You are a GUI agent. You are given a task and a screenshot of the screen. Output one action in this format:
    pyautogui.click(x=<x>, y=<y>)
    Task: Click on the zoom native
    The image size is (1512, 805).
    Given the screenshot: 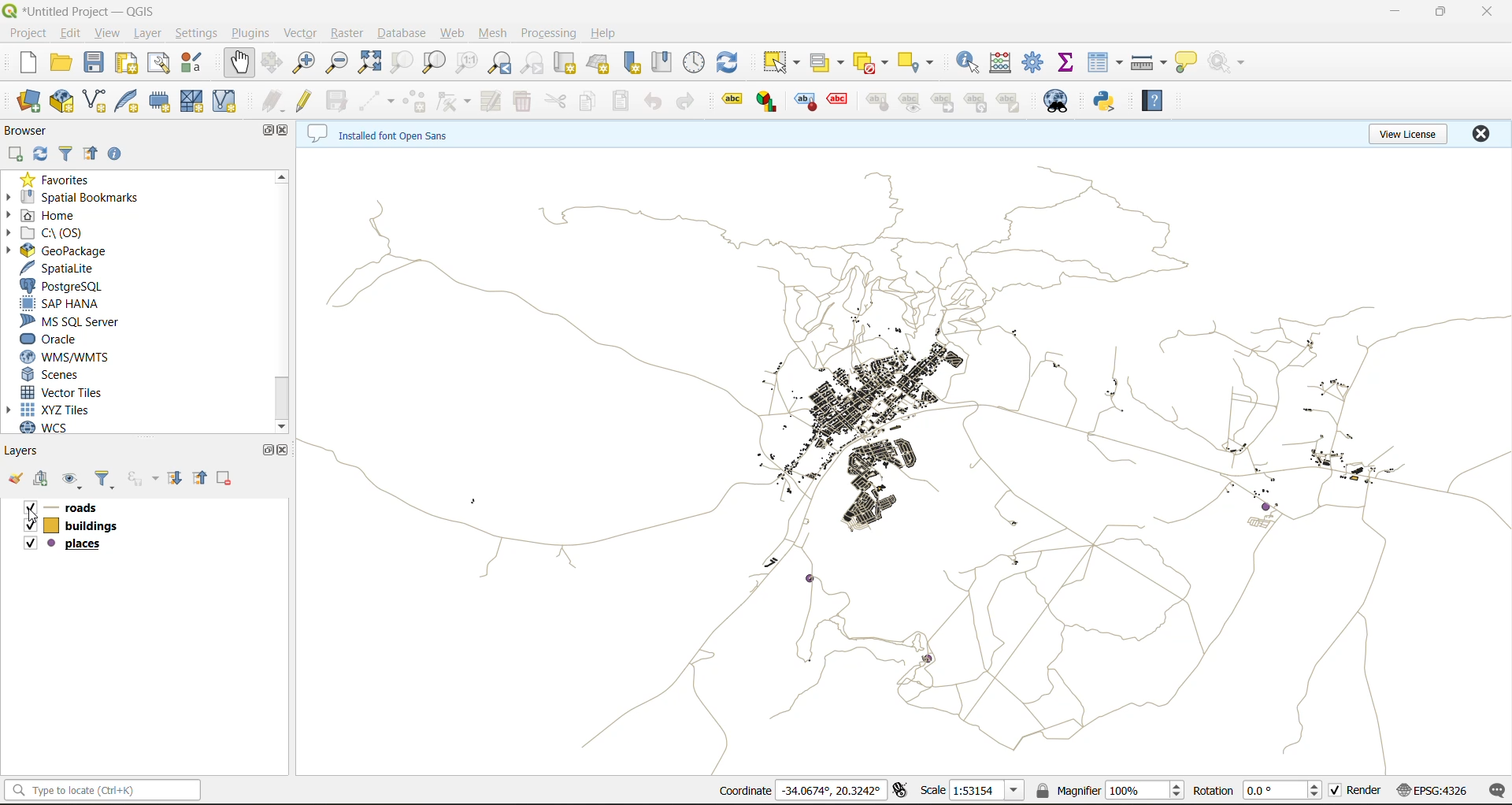 What is the action you would take?
    pyautogui.click(x=464, y=65)
    